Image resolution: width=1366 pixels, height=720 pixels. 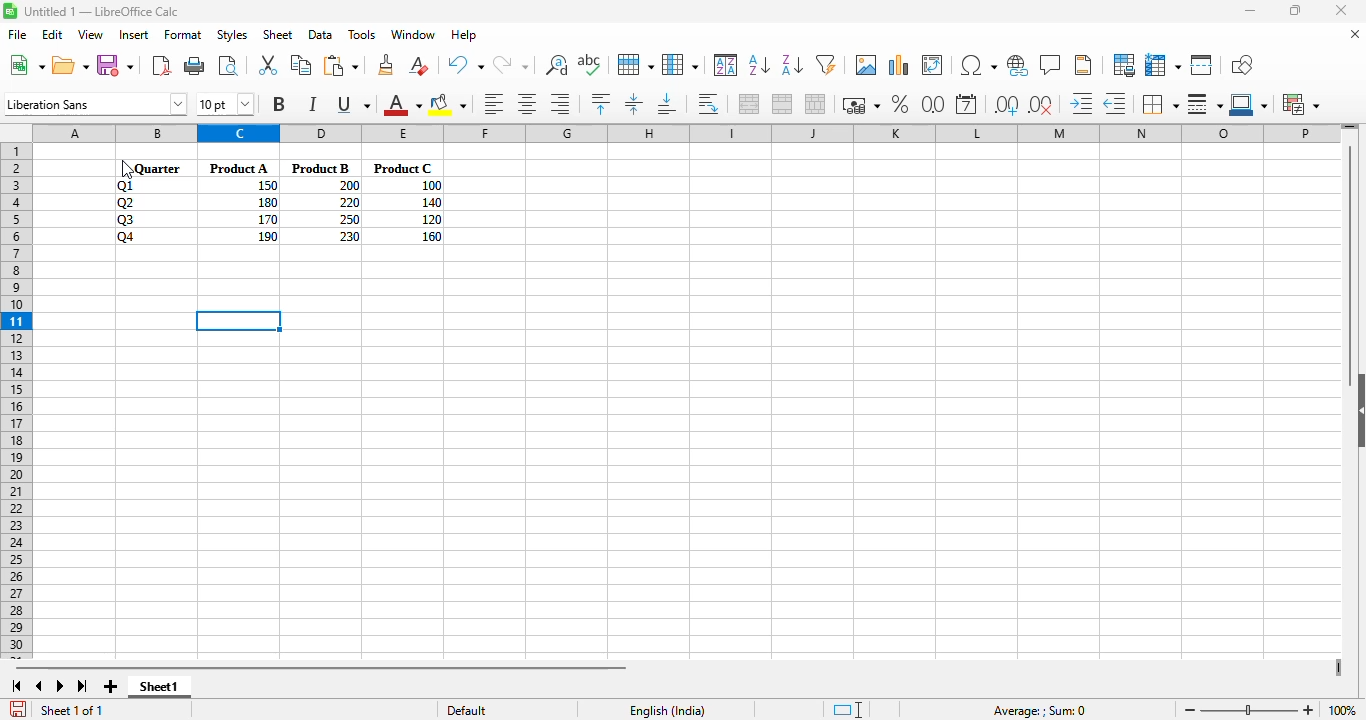 What do you see at coordinates (430, 219) in the screenshot?
I see `120` at bounding box center [430, 219].